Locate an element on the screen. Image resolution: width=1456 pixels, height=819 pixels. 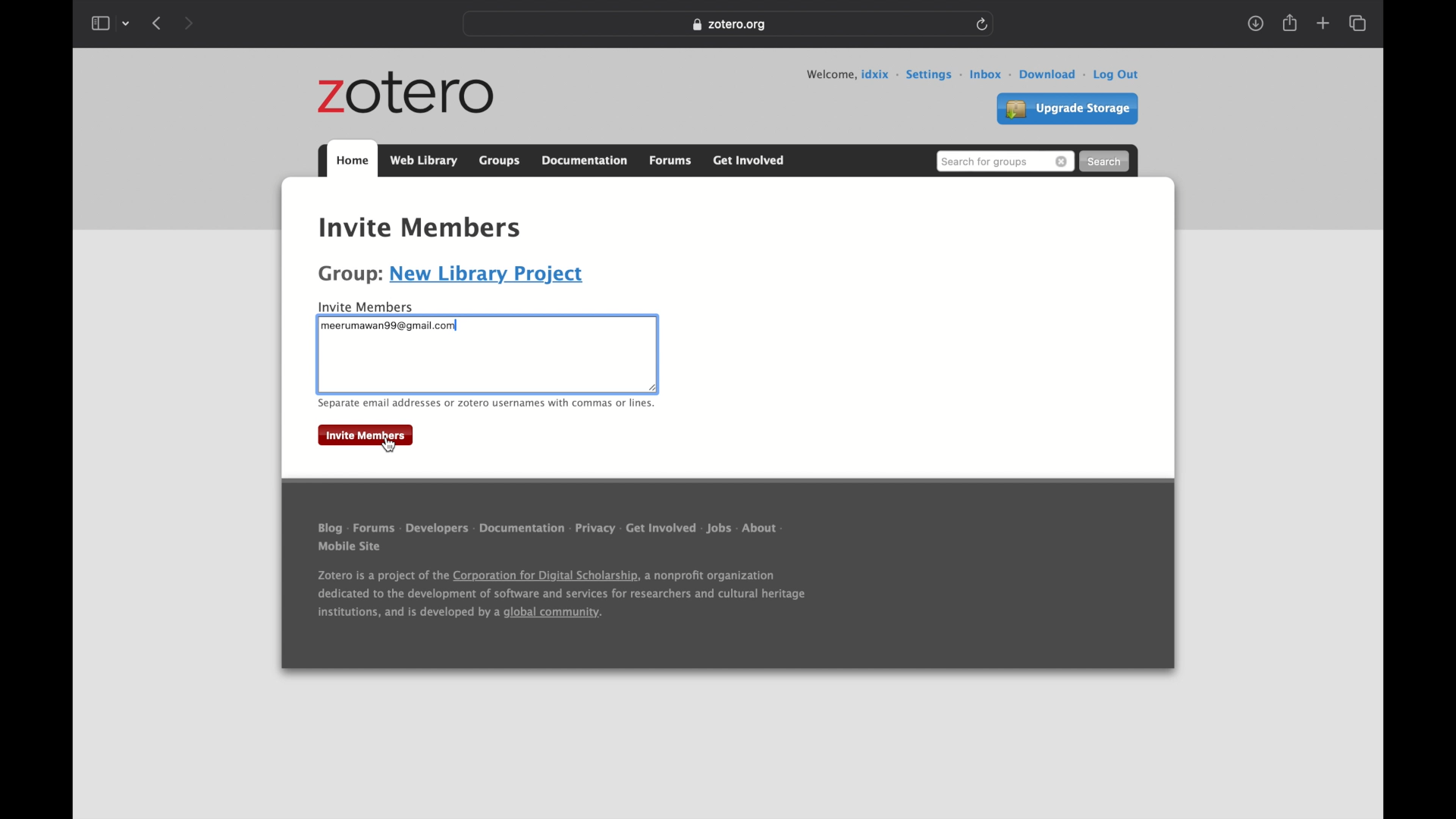
textbox highlight boundary is located at coordinates (659, 352).